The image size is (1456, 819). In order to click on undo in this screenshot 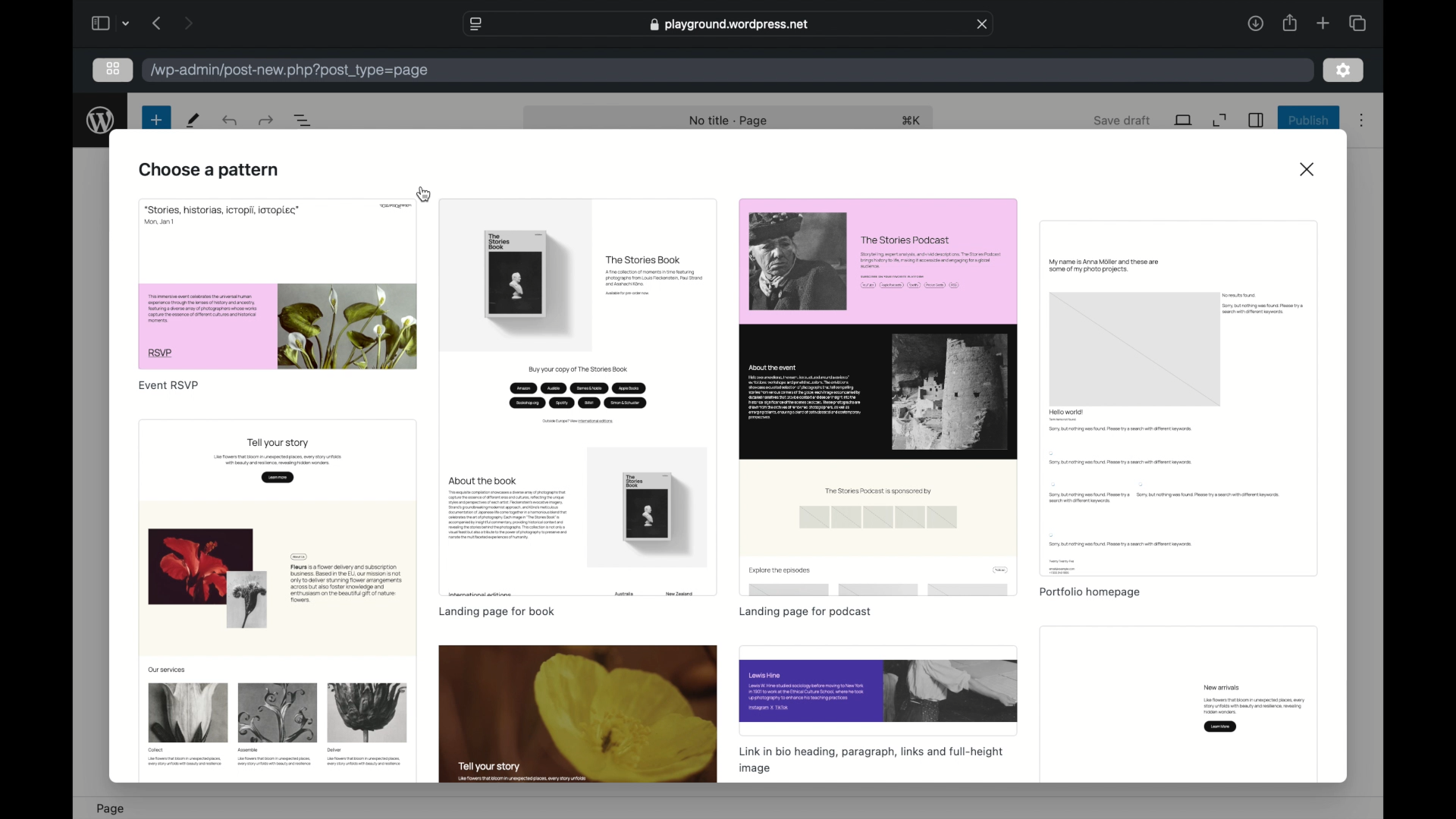, I will do `click(265, 120)`.